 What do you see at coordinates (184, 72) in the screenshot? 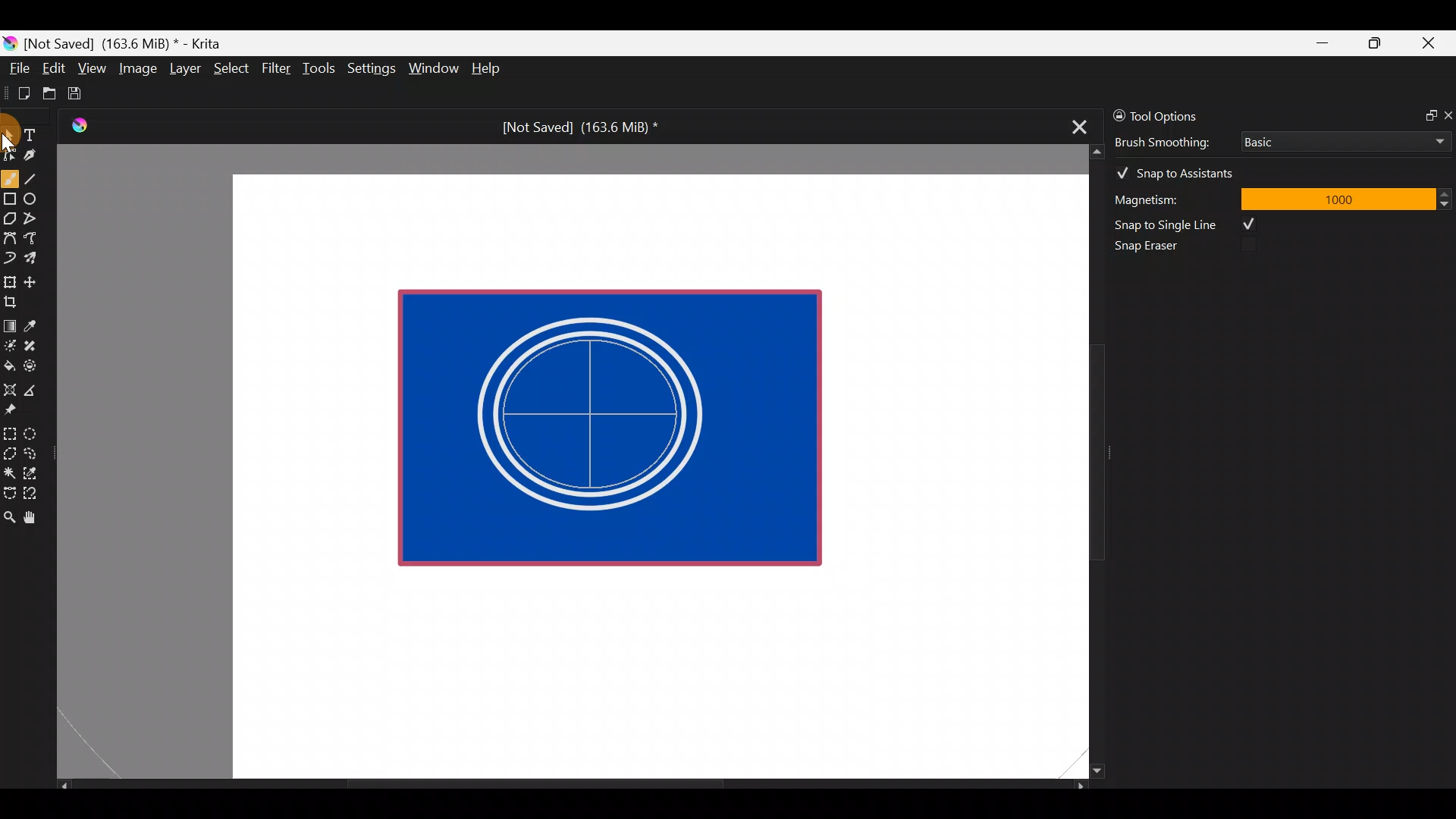
I see `Layer` at bounding box center [184, 72].